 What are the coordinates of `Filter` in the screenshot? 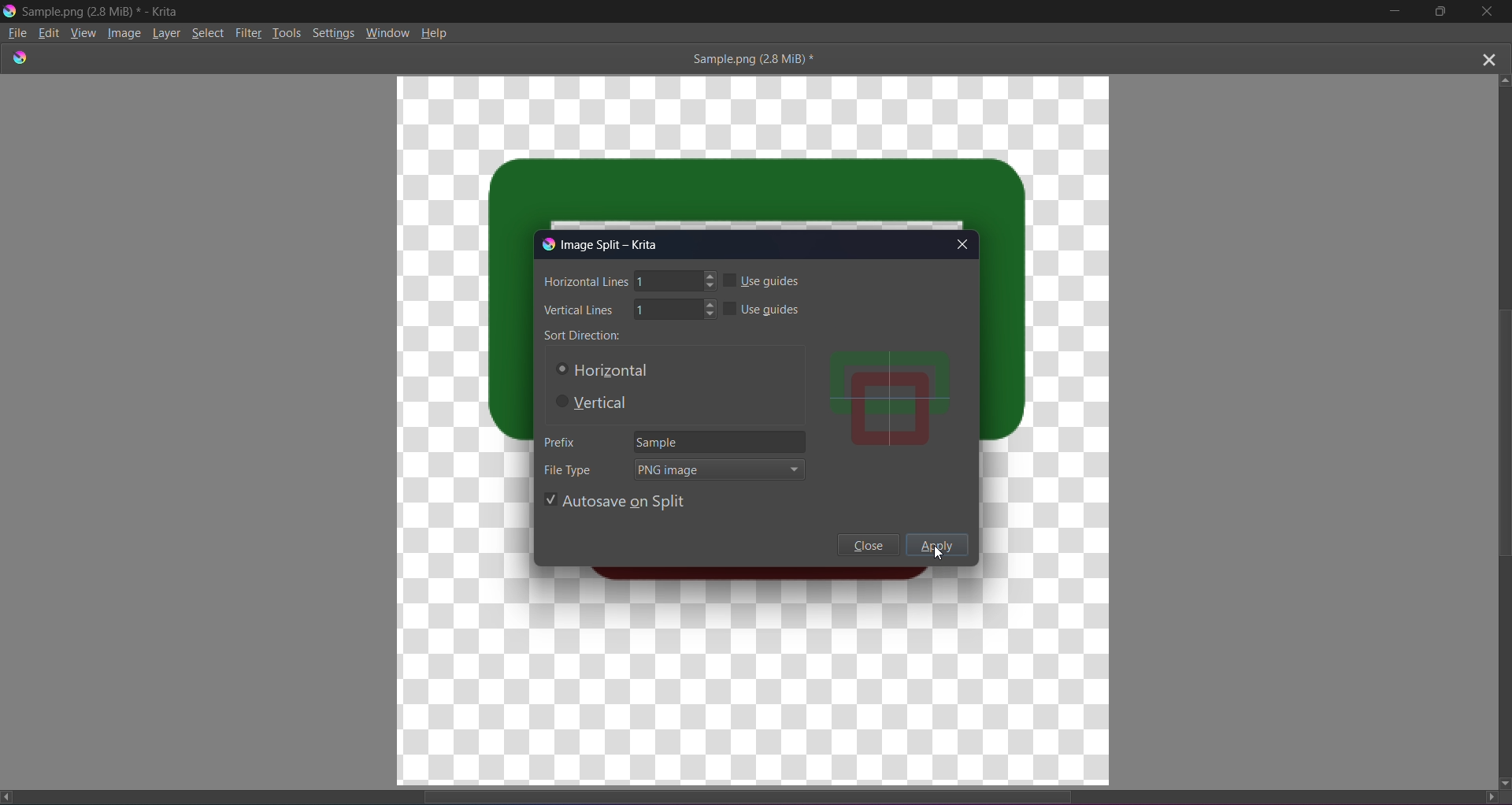 It's located at (250, 32).